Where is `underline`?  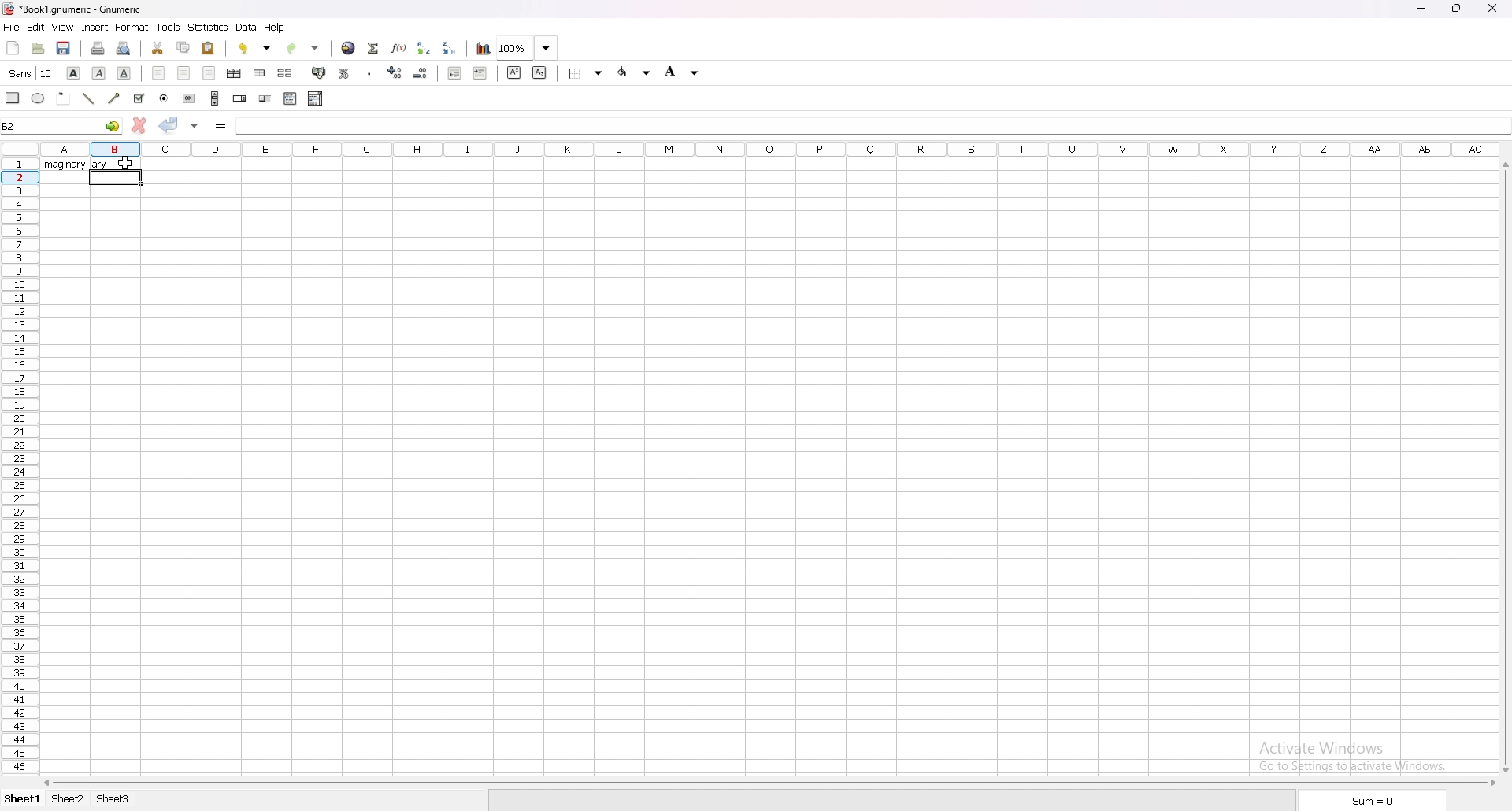 underline is located at coordinates (125, 73).